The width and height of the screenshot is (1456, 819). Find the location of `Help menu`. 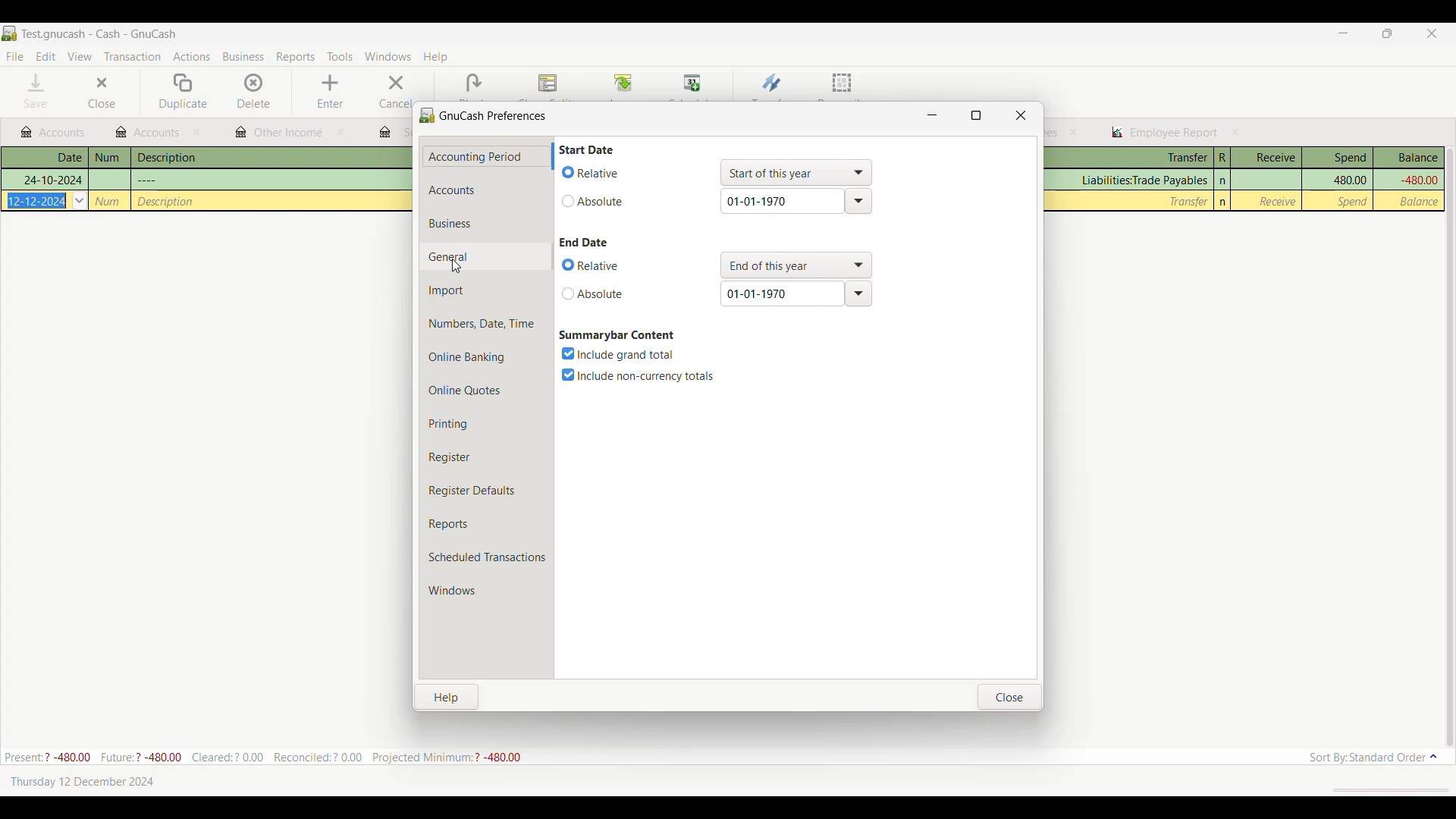

Help menu is located at coordinates (435, 58).